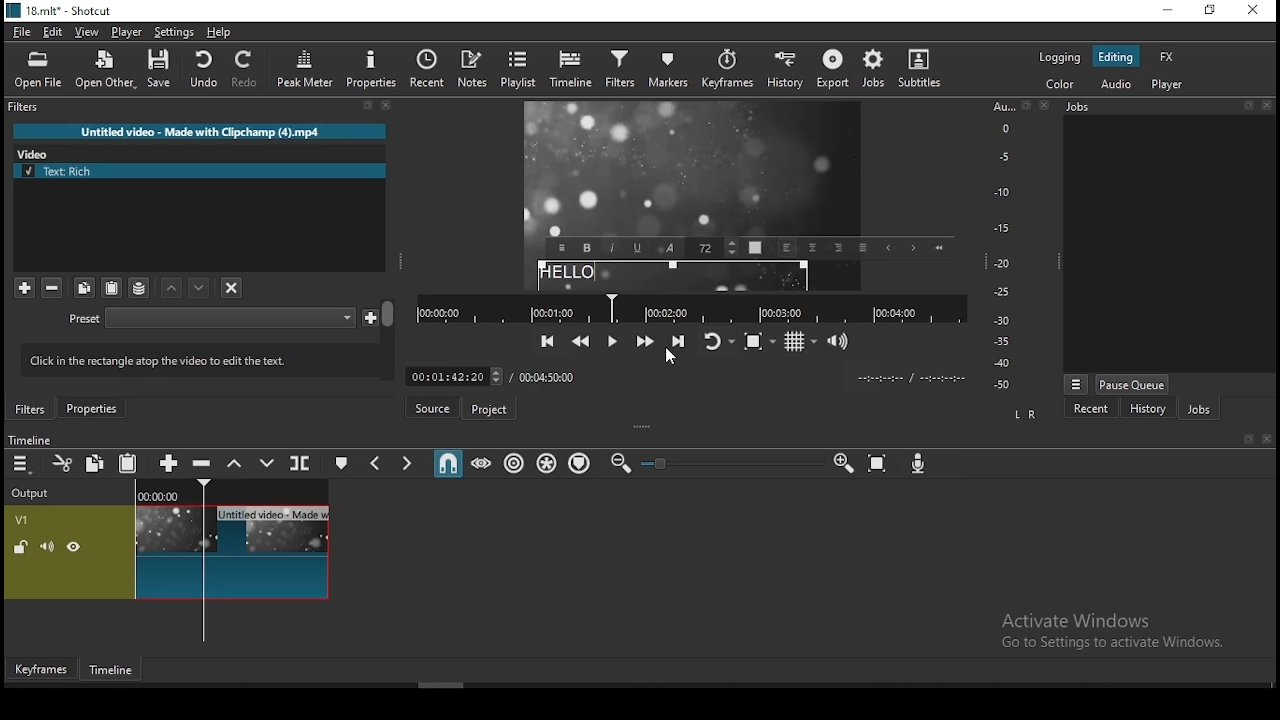 The height and width of the screenshot is (720, 1280). Describe the element at coordinates (1026, 415) in the screenshot. I see `L R` at that location.